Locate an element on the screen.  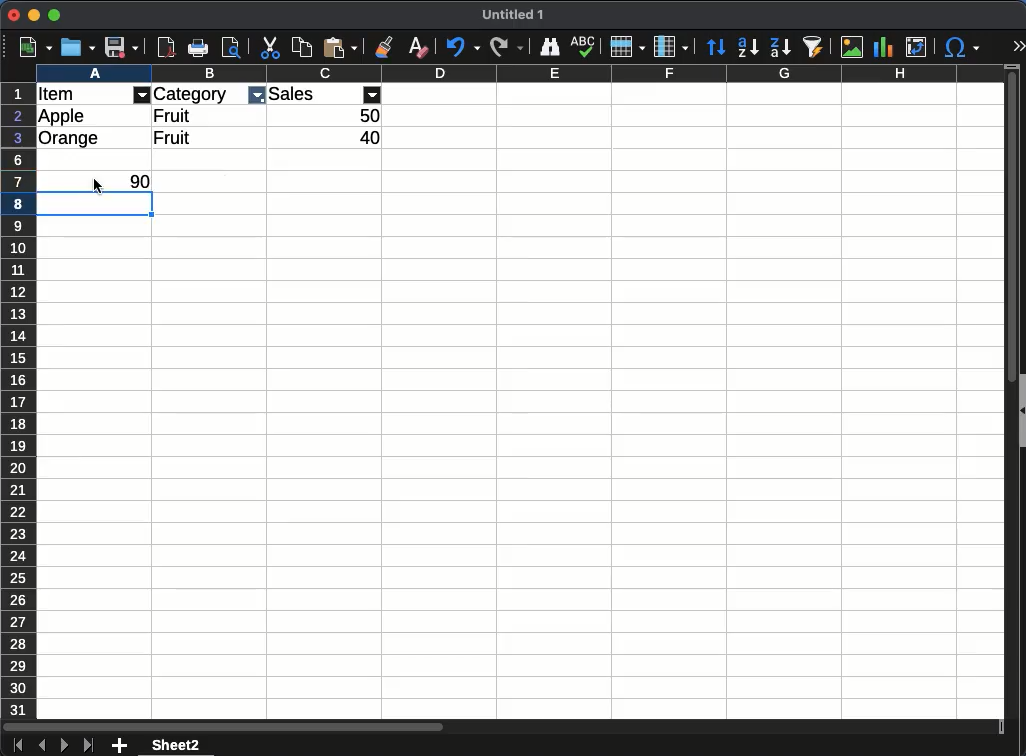
Orange is located at coordinates (70, 139).